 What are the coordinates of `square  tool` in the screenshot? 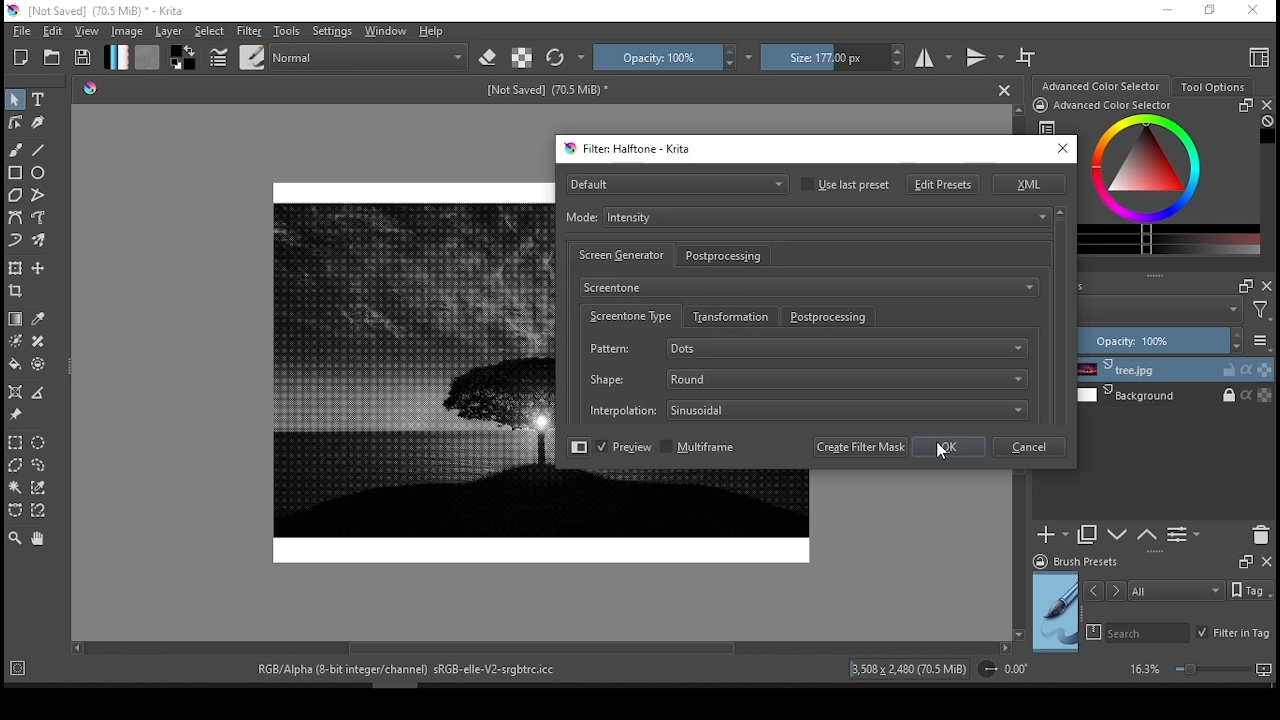 It's located at (16, 172).